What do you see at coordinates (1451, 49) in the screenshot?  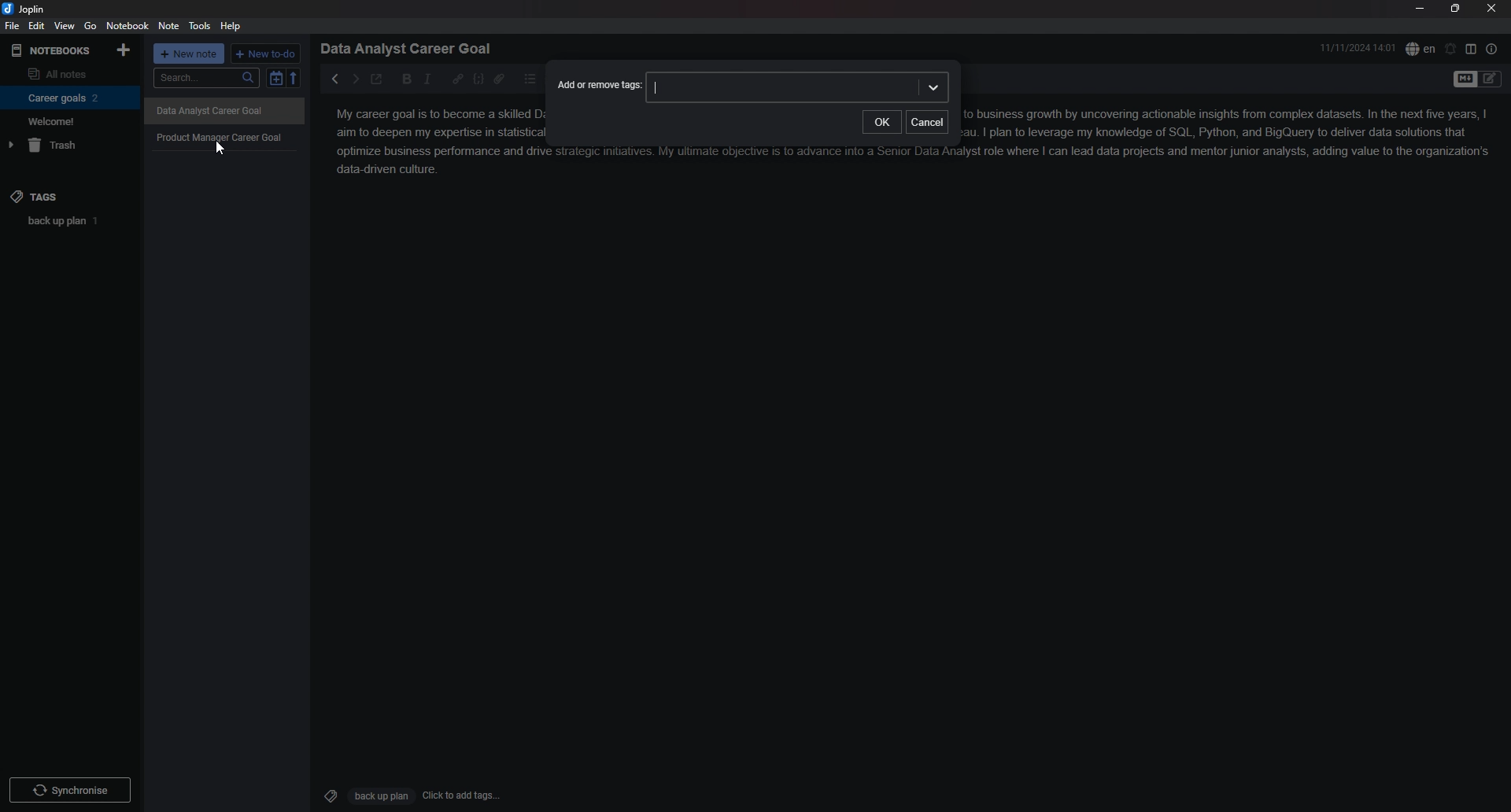 I see `set alarm` at bounding box center [1451, 49].